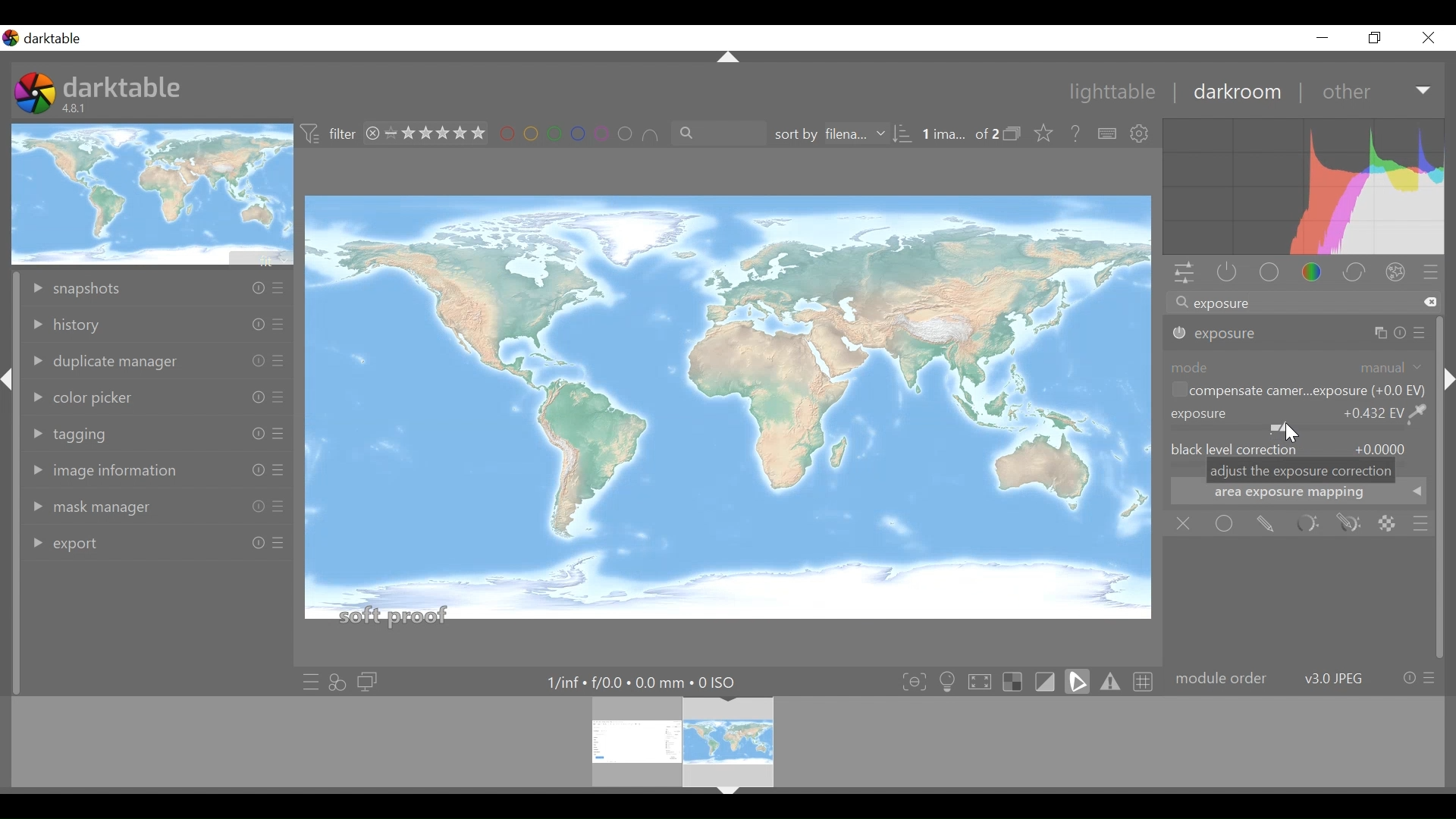 Image resolution: width=1456 pixels, height=819 pixels. Describe the element at coordinates (984, 681) in the screenshot. I see `toggle high quality processing` at that location.